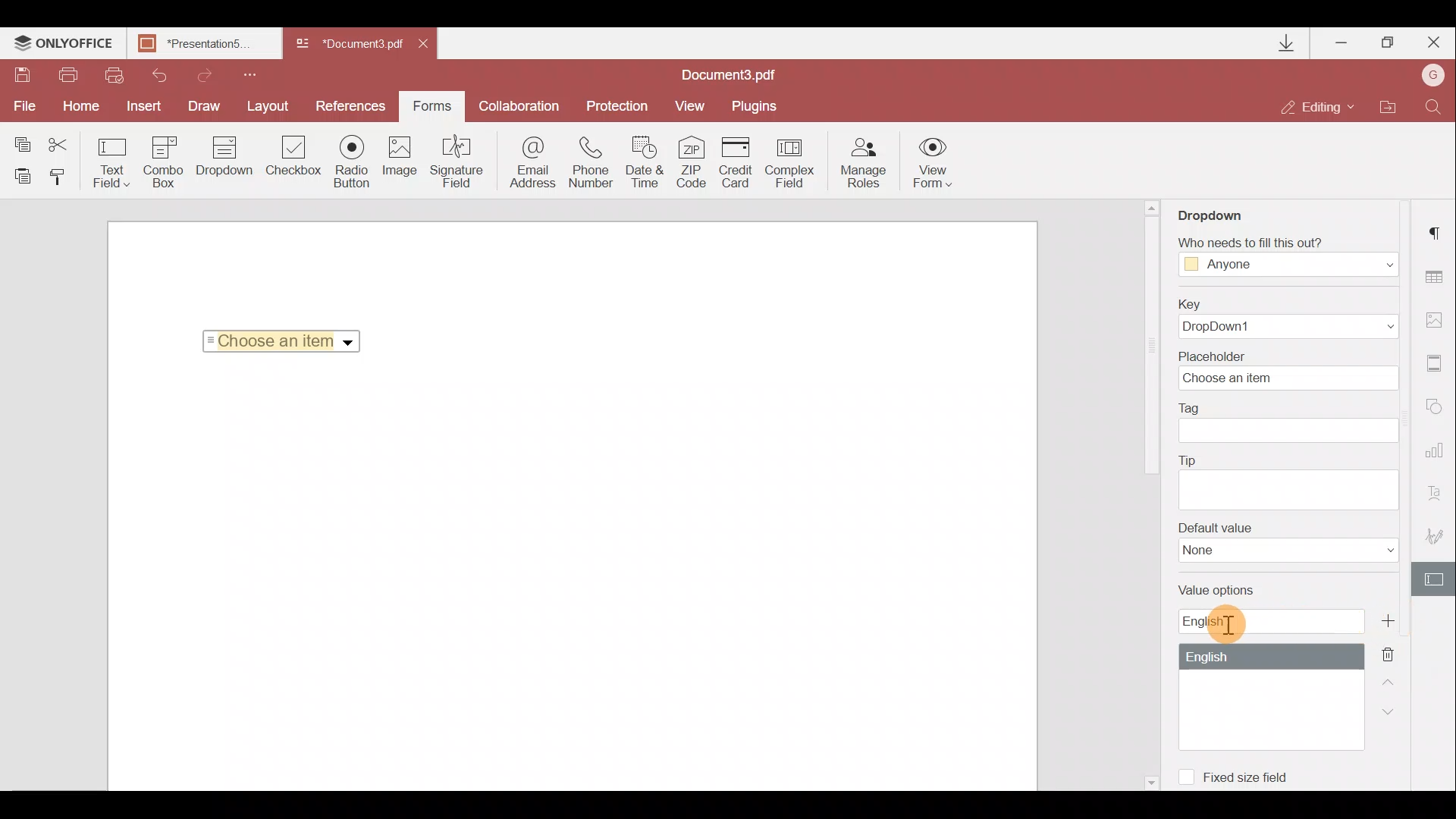 The width and height of the screenshot is (1456, 819). Describe the element at coordinates (1439, 497) in the screenshot. I see `Text Art settings` at that location.